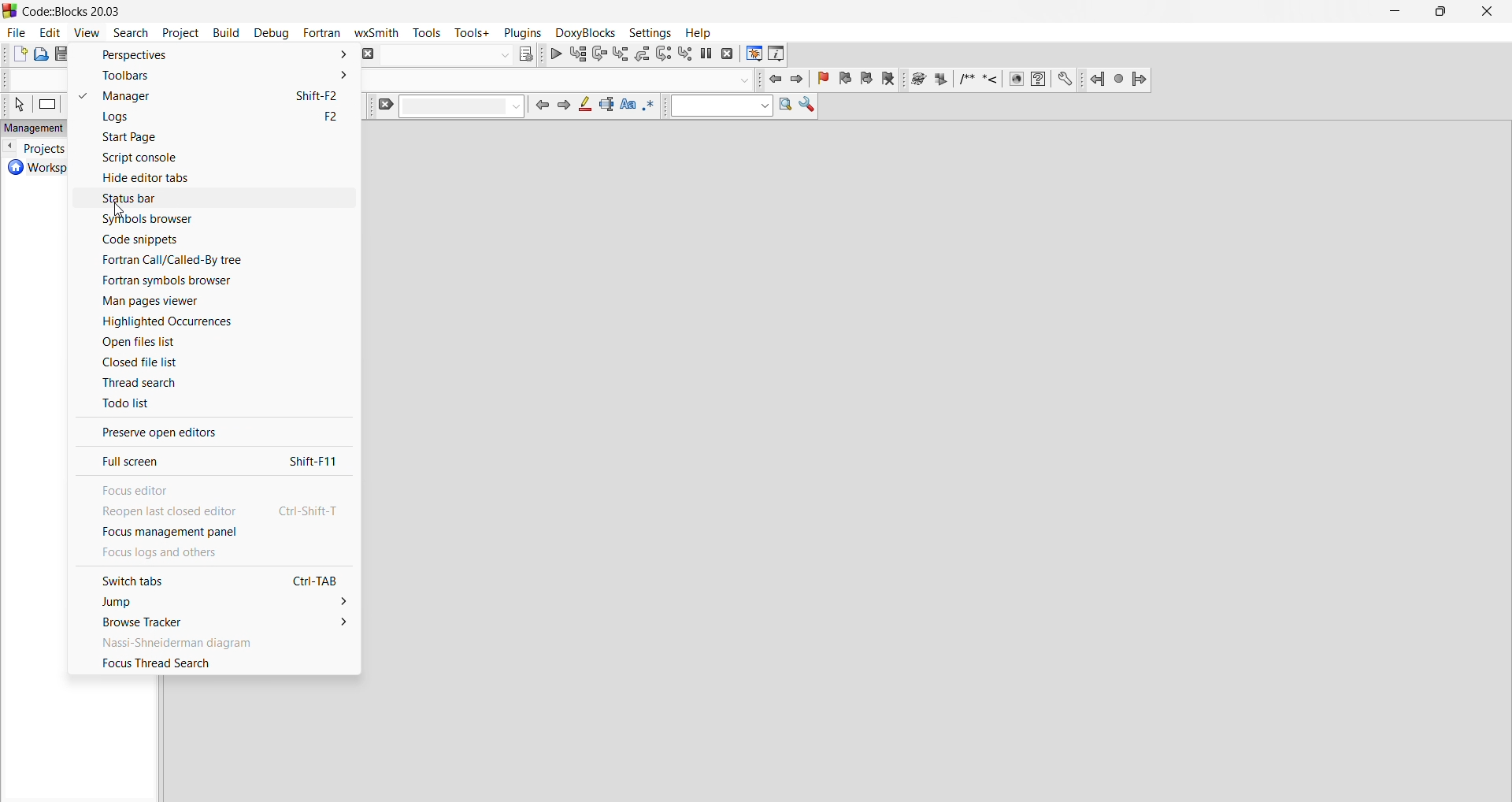 The image size is (1512, 802). What do you see at coordinates (43, 57) in the screenshot?
I see `open` at bounding box center [43, 57].